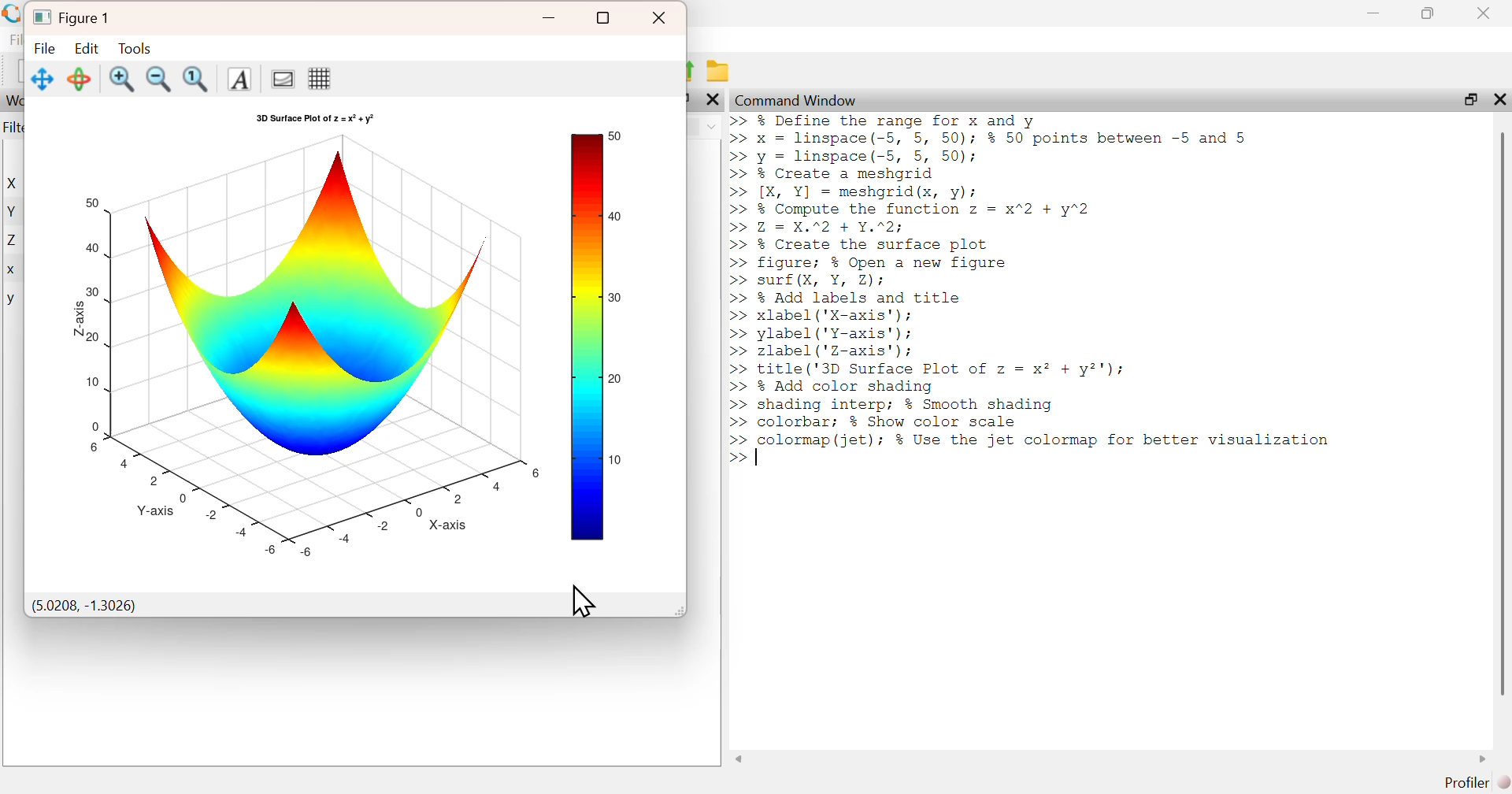 The width and height of the screenshot is (1512, 794). I want to click on close, so click(661, 18).